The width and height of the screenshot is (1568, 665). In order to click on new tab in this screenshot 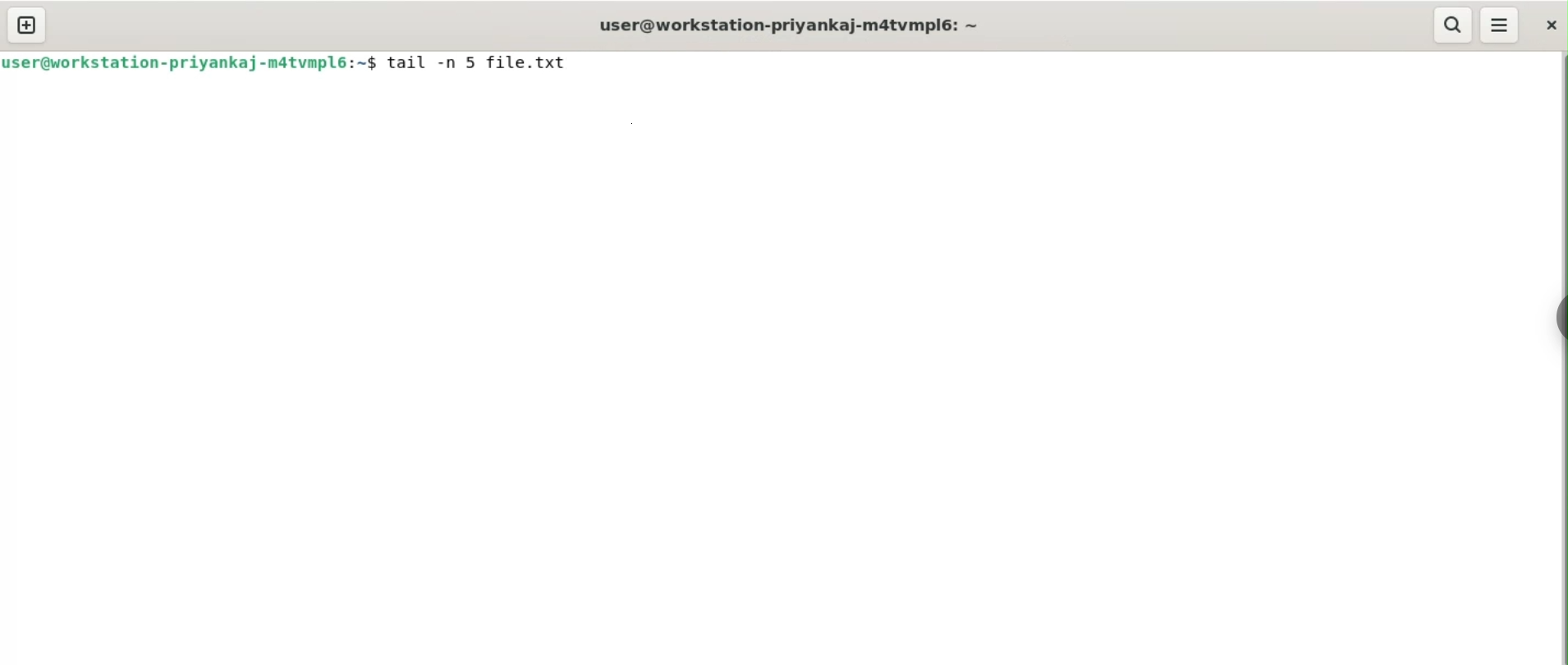, I will do `click(27, 25)`.